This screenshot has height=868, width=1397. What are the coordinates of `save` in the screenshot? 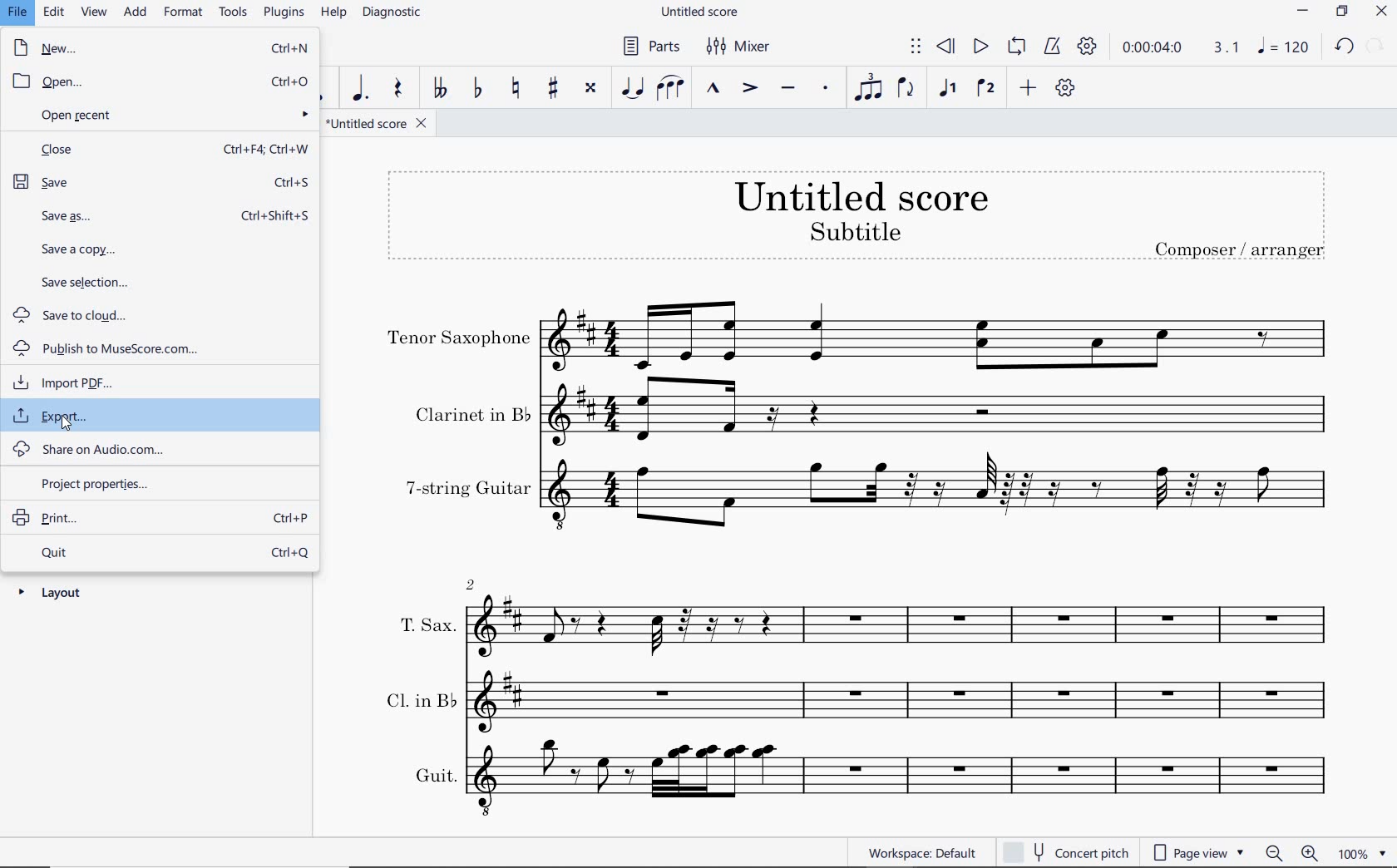 It's located at (163, 184).